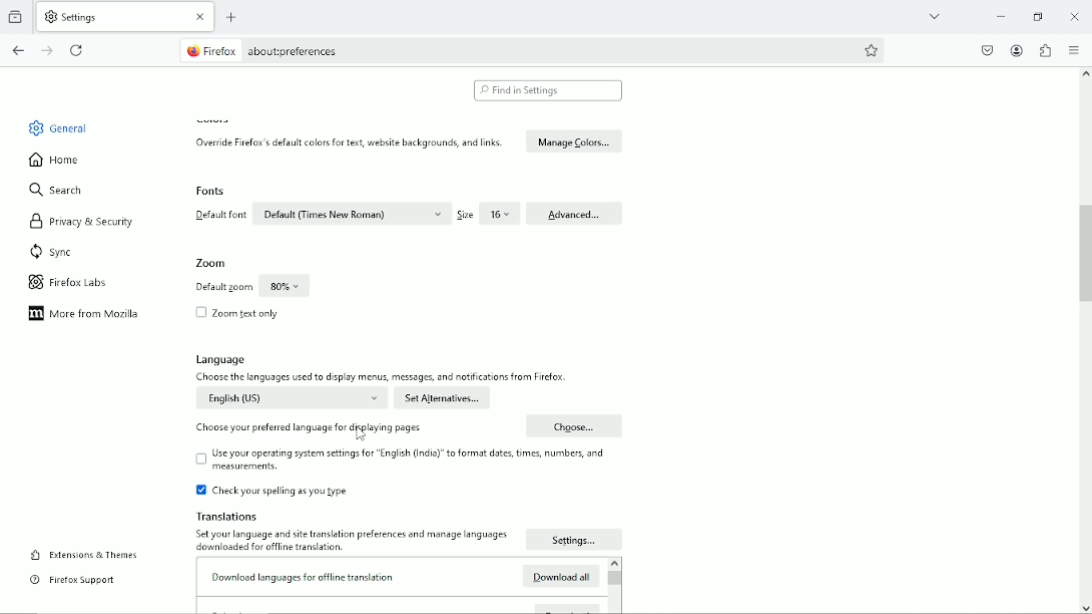 Image resolution: width=1092 pixels, height=614 pixels. Describe the element at coordinates (278, 50) in the screenshot. I see `Firefox about:preferences` at that location.